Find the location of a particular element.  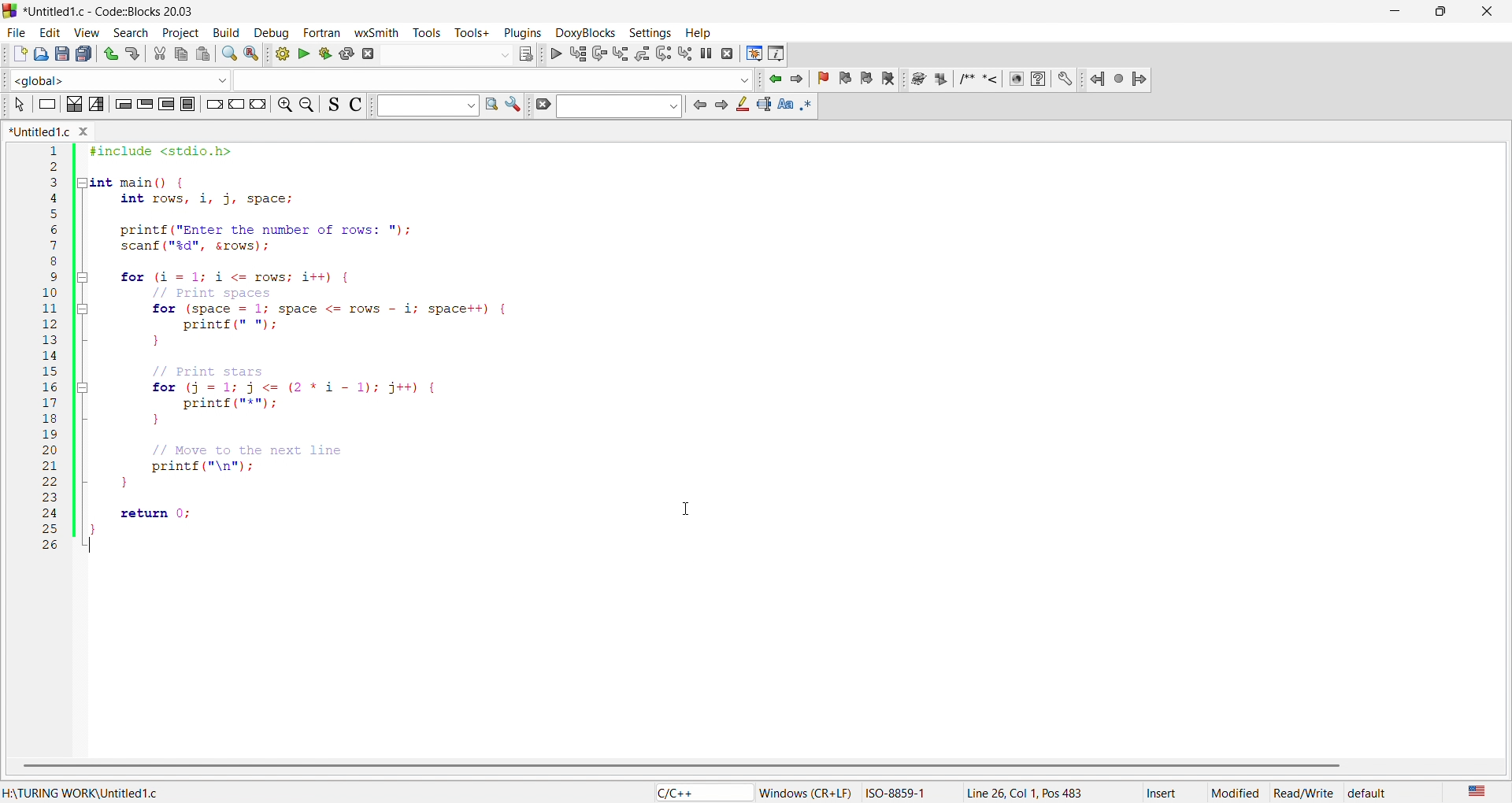

search bar is located at coordinates (618, 108).